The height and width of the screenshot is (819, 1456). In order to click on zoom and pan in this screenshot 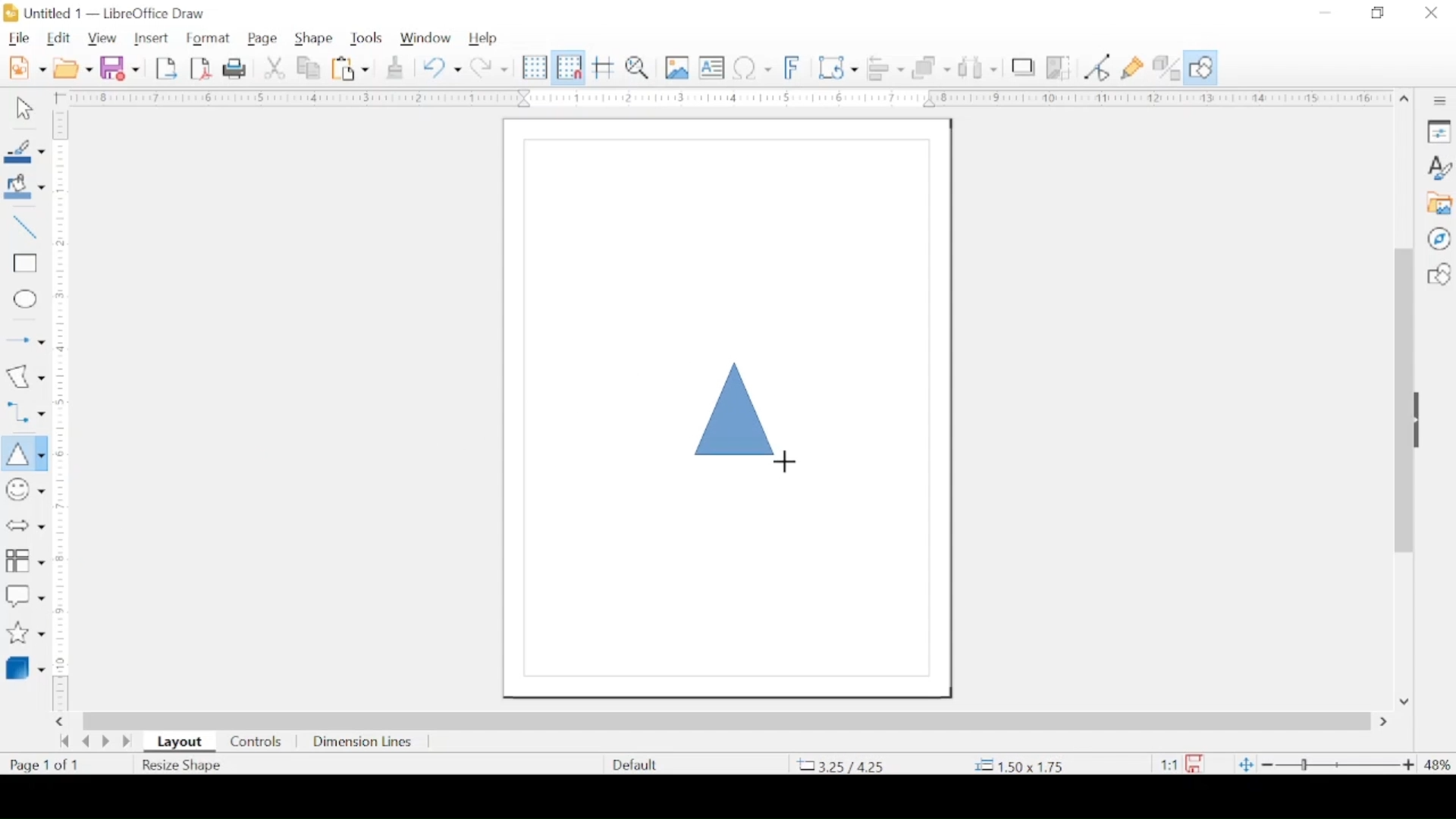, I will do `click(638, 68)`.